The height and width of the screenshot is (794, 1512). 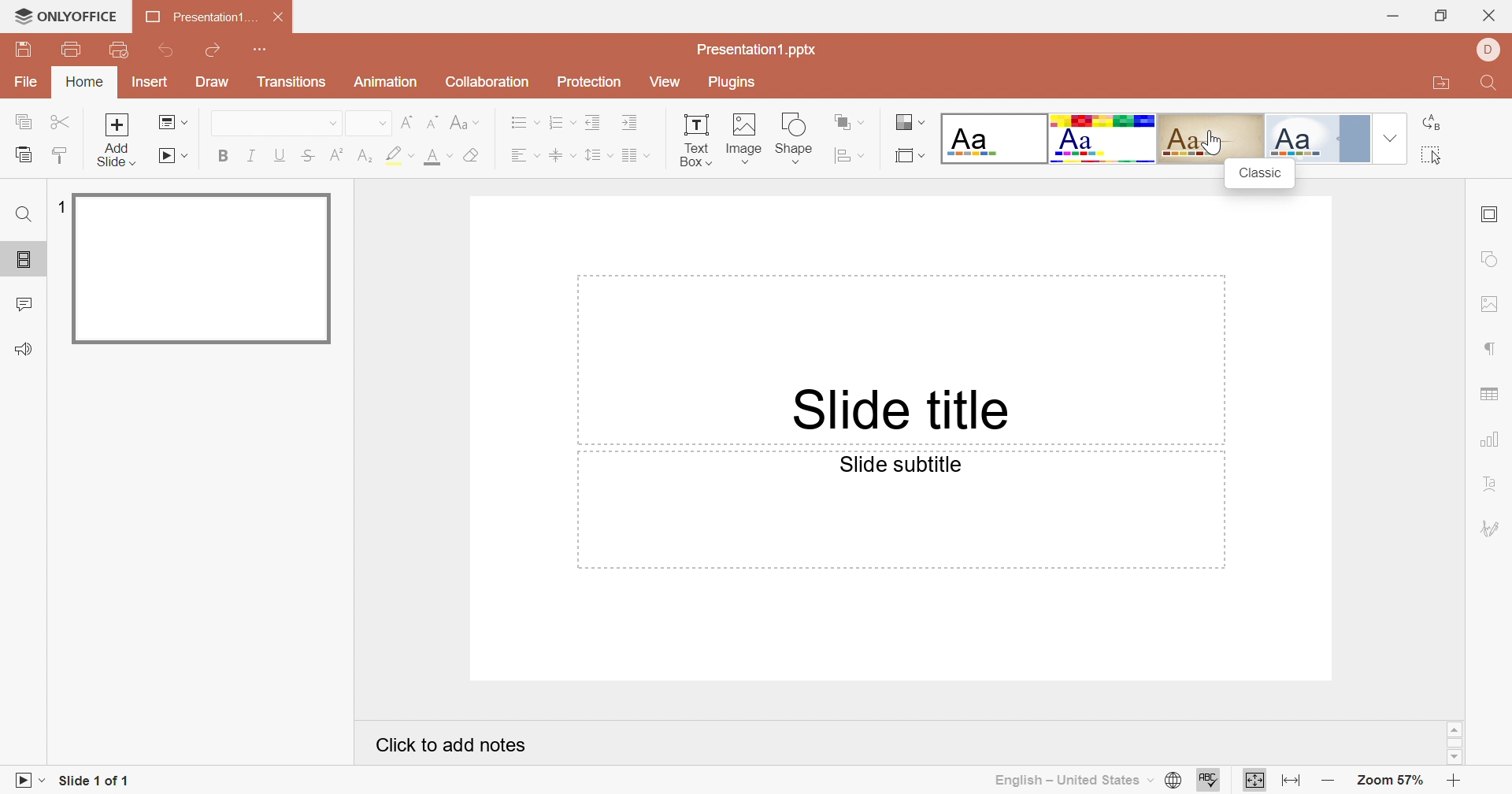 I want to click on Protection, so click(x=589, y=82).